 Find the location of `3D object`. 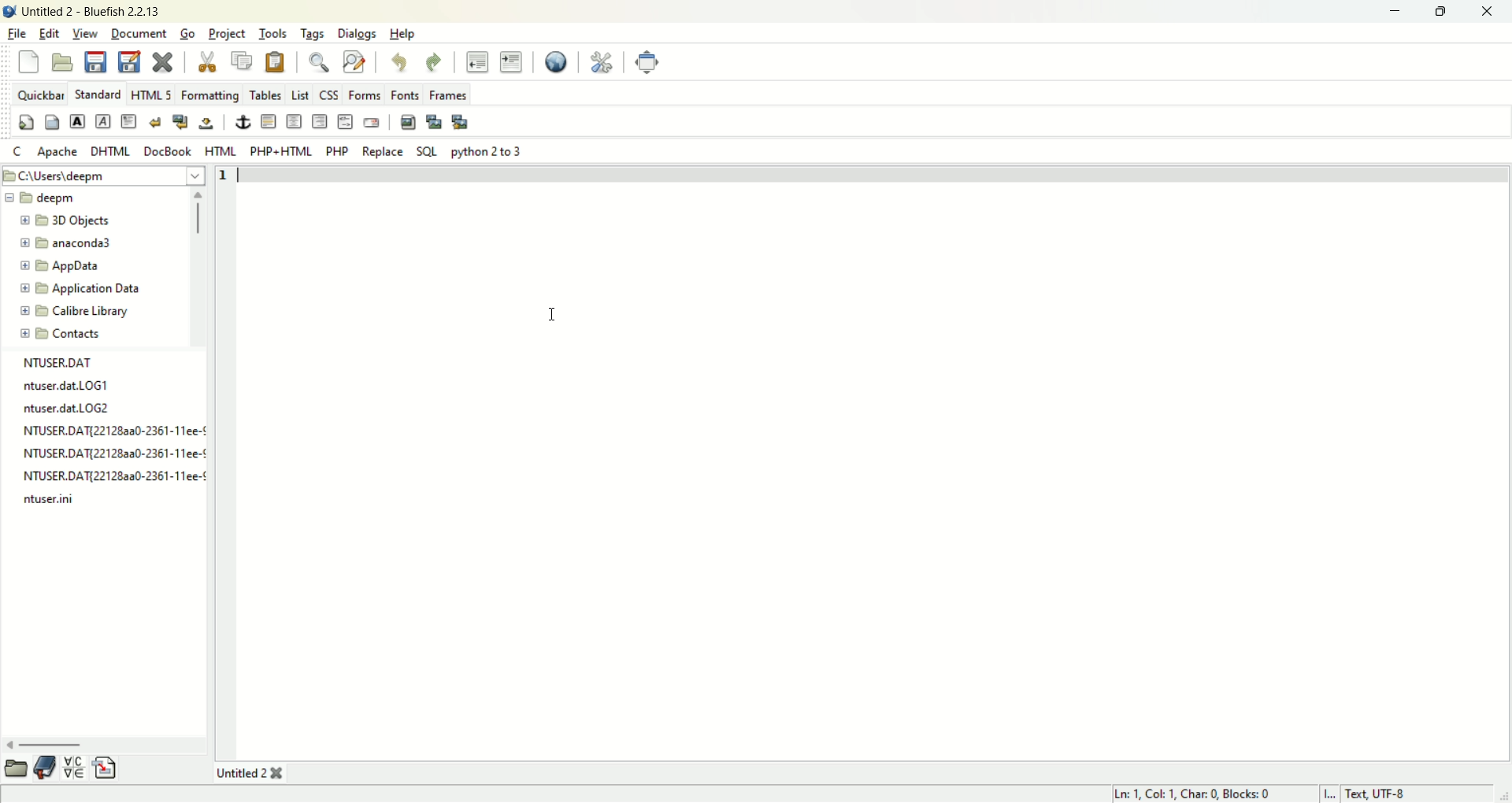

3D object is located at coordinates (66, 220).